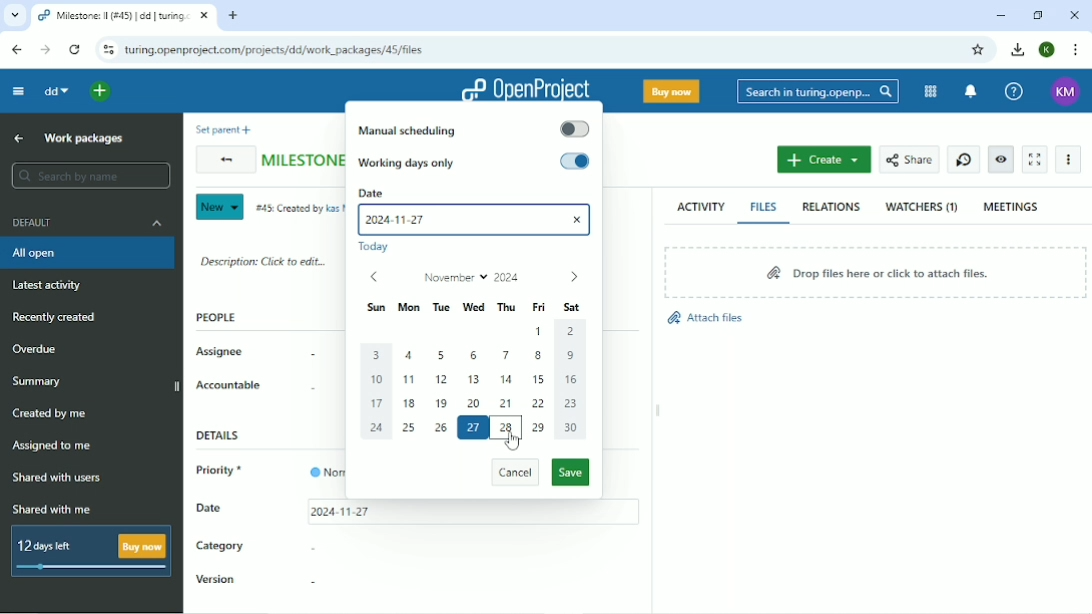 The width and height of the screenshot is (1092, 614). Describe the element at coordinates (310, 547) in the screenshot. I see `-` at that location.